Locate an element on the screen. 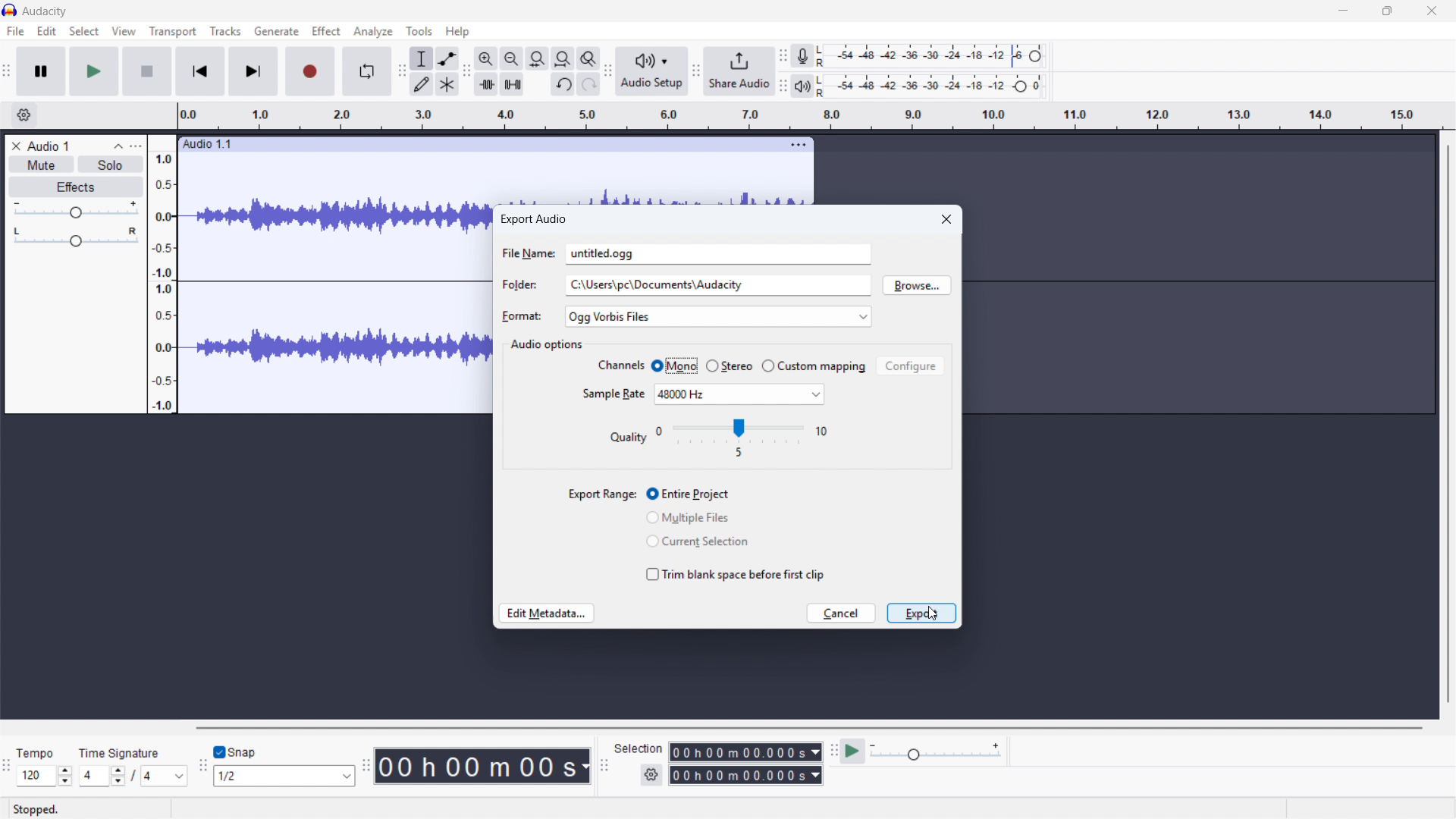 Image resolution: width=1456 pixels, height=819 pixels. Track options  is located at coordinates (798, 144).